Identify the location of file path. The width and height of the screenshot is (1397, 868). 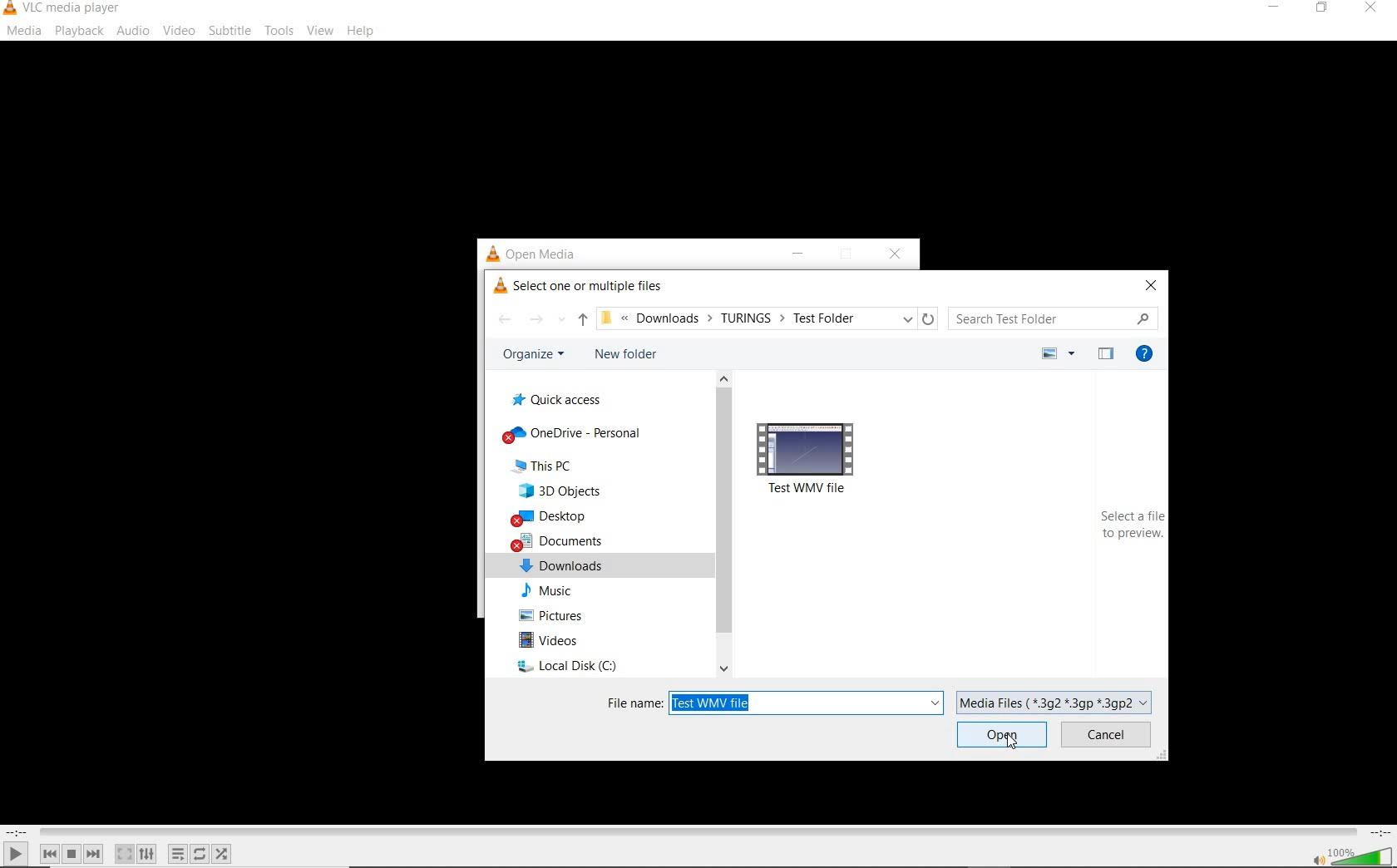
(735, 318).